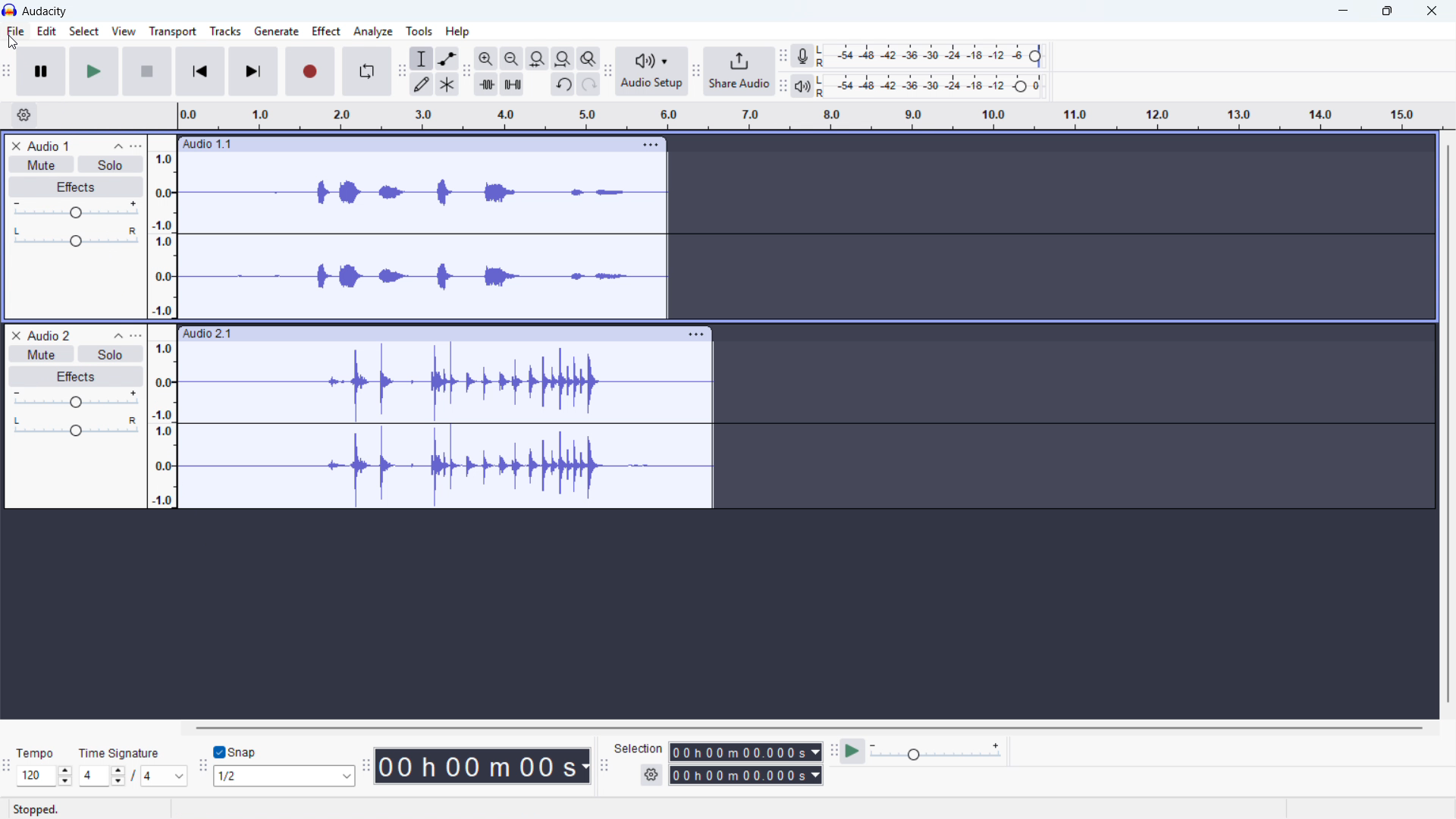 This screenshot has width=1456, height=819. Describe the element at coordinates (118, 146) in the screenshot. I see `Collapse ` at that location.